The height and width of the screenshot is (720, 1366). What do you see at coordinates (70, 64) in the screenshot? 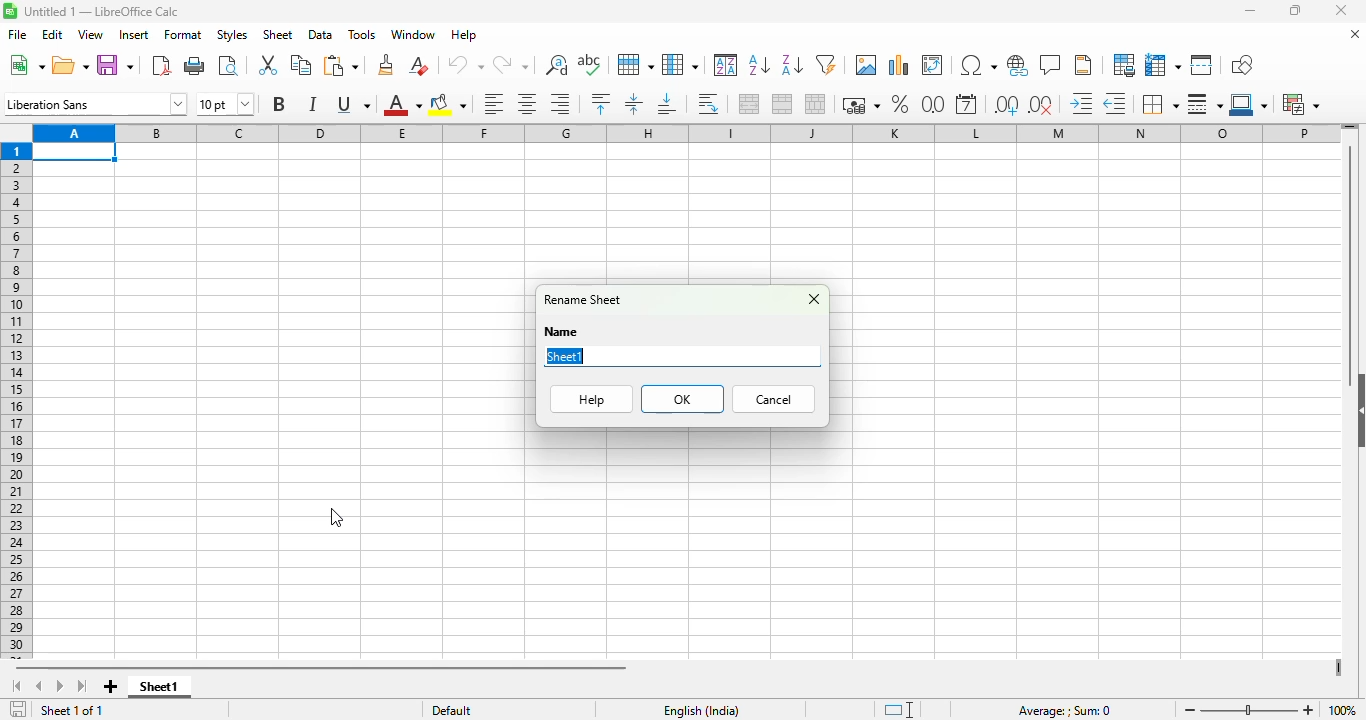
I see `open` at bounding box center [70, 64].